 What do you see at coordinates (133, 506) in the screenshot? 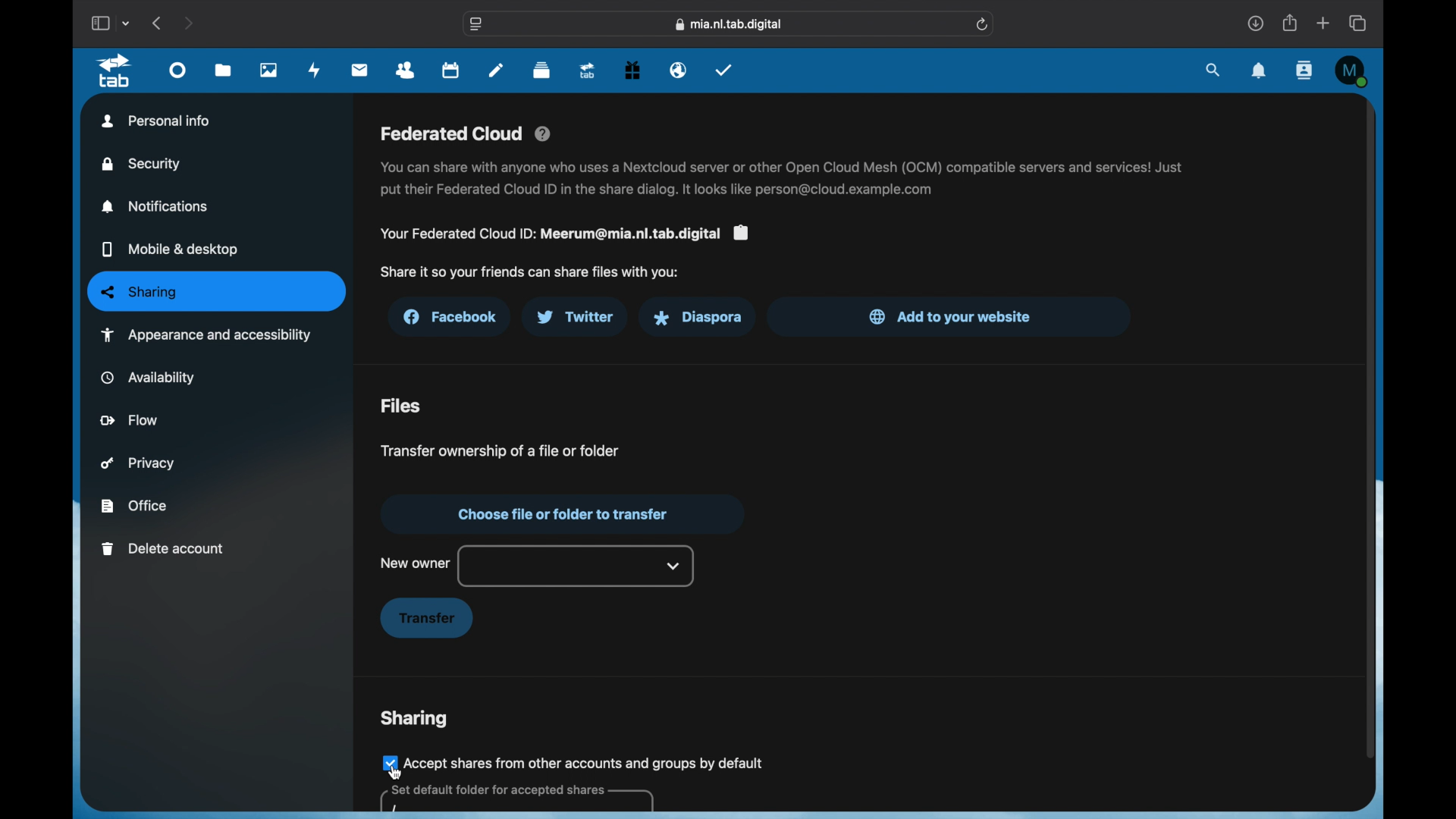
I see `office` at bounding box center [133, 506].